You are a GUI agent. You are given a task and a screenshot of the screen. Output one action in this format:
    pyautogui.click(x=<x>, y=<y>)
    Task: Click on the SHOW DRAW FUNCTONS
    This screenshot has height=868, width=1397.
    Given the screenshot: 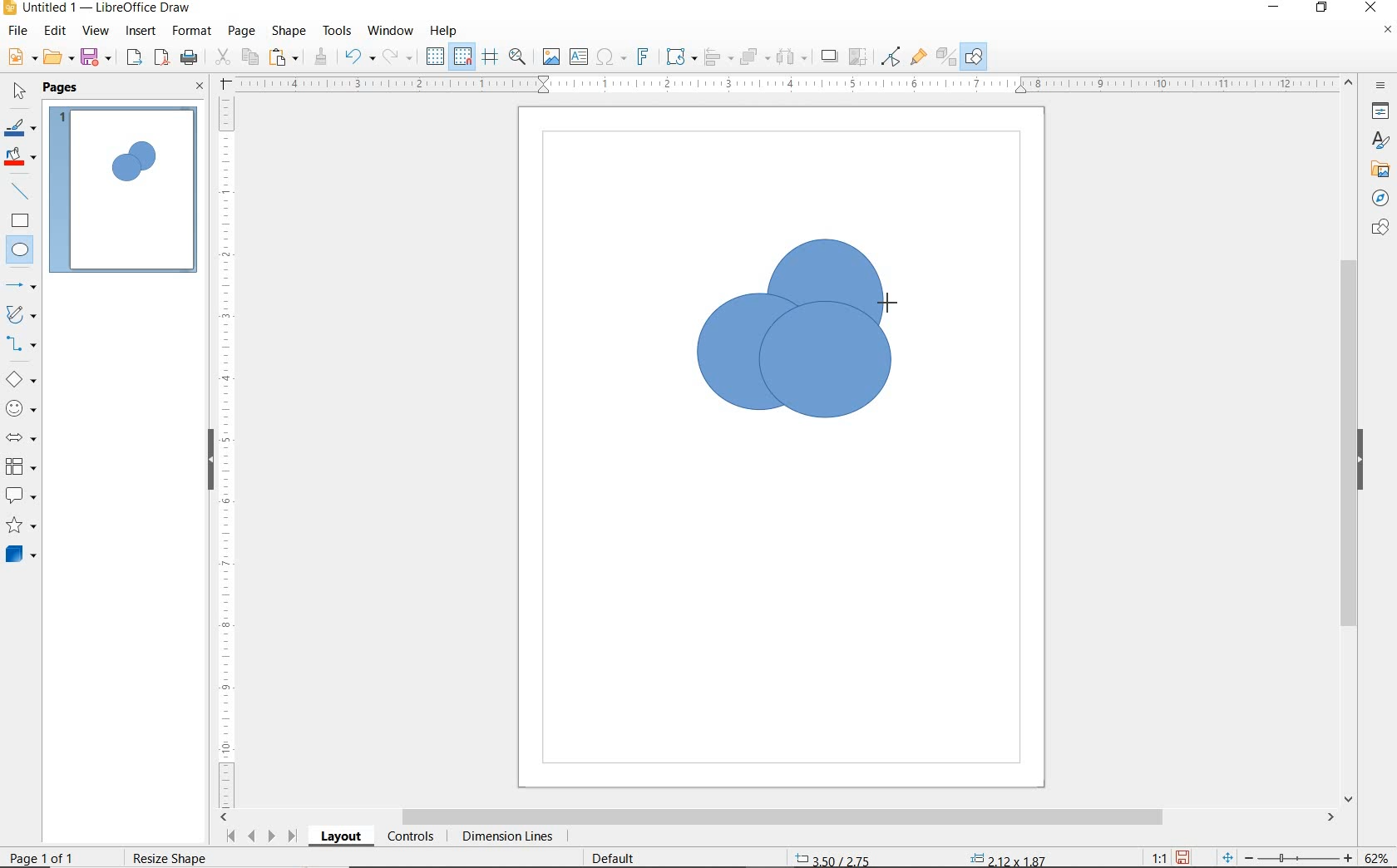 What is the action you would take?
    pyautogui.click(x=974, y=57)
    